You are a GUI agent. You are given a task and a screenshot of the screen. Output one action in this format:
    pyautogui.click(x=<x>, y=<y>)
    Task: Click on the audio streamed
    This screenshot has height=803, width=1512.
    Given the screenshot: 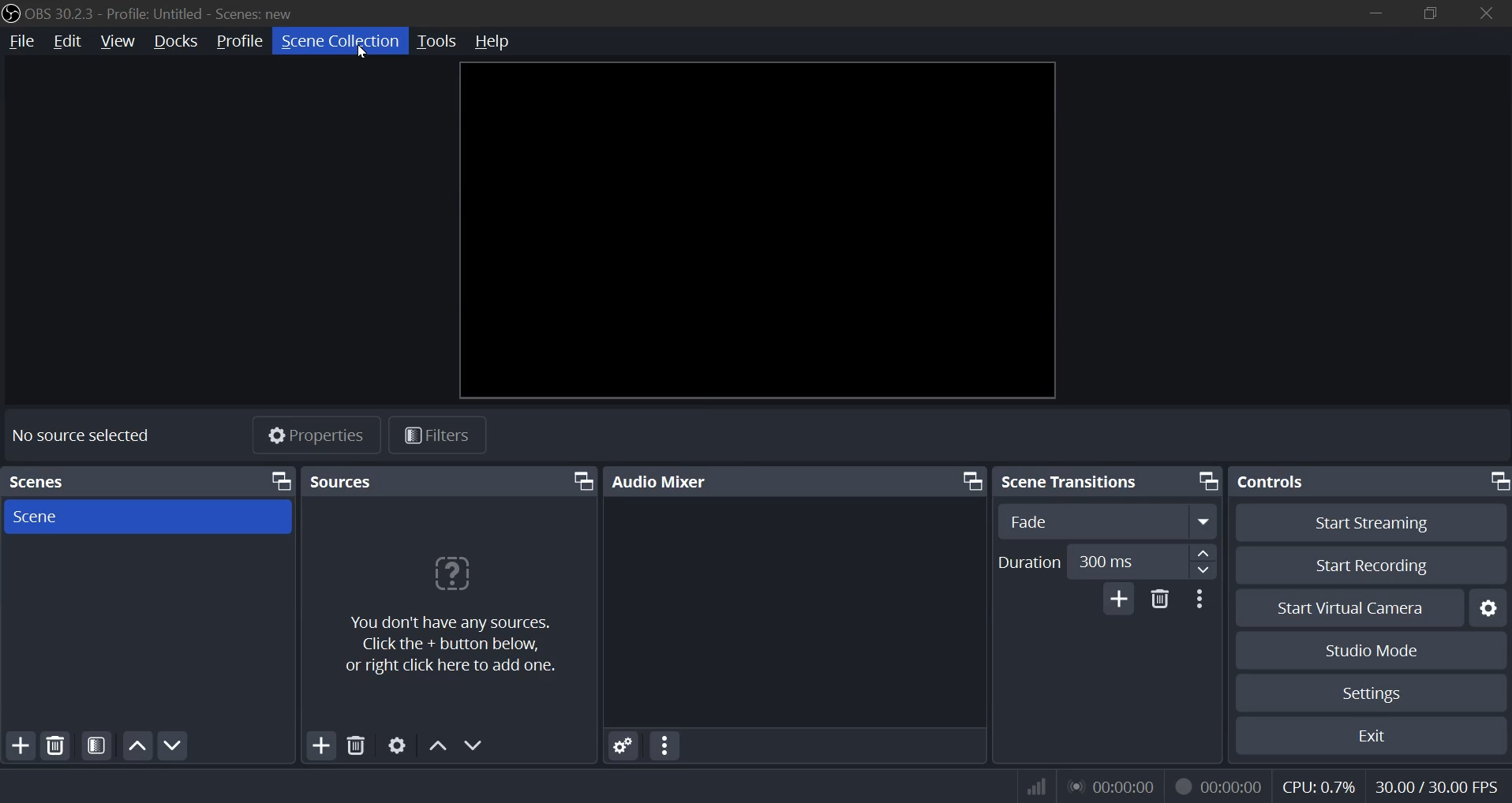 What is the action you would take?
    pyautogui.click(x=1110, y=786)
    